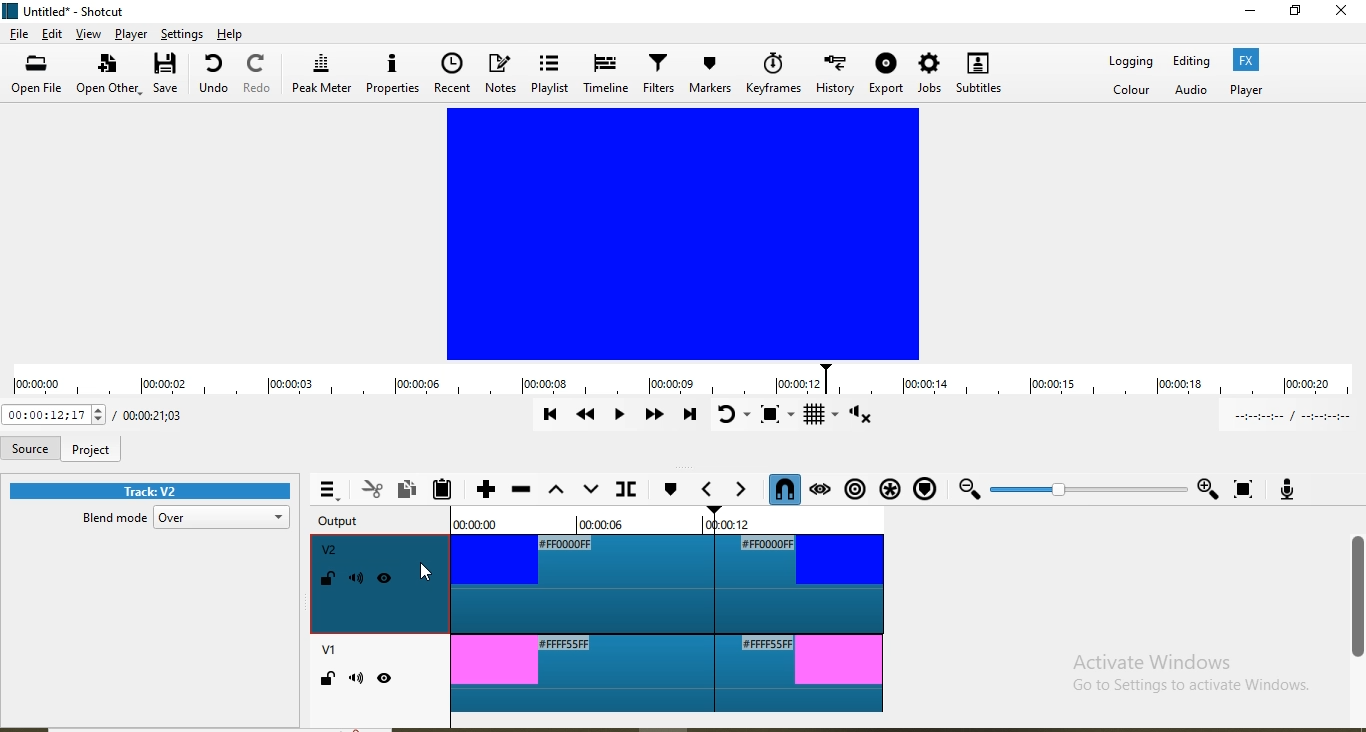 The image size is (1366, 732). I want to click on Ripple all tracks, so click(889, 488).